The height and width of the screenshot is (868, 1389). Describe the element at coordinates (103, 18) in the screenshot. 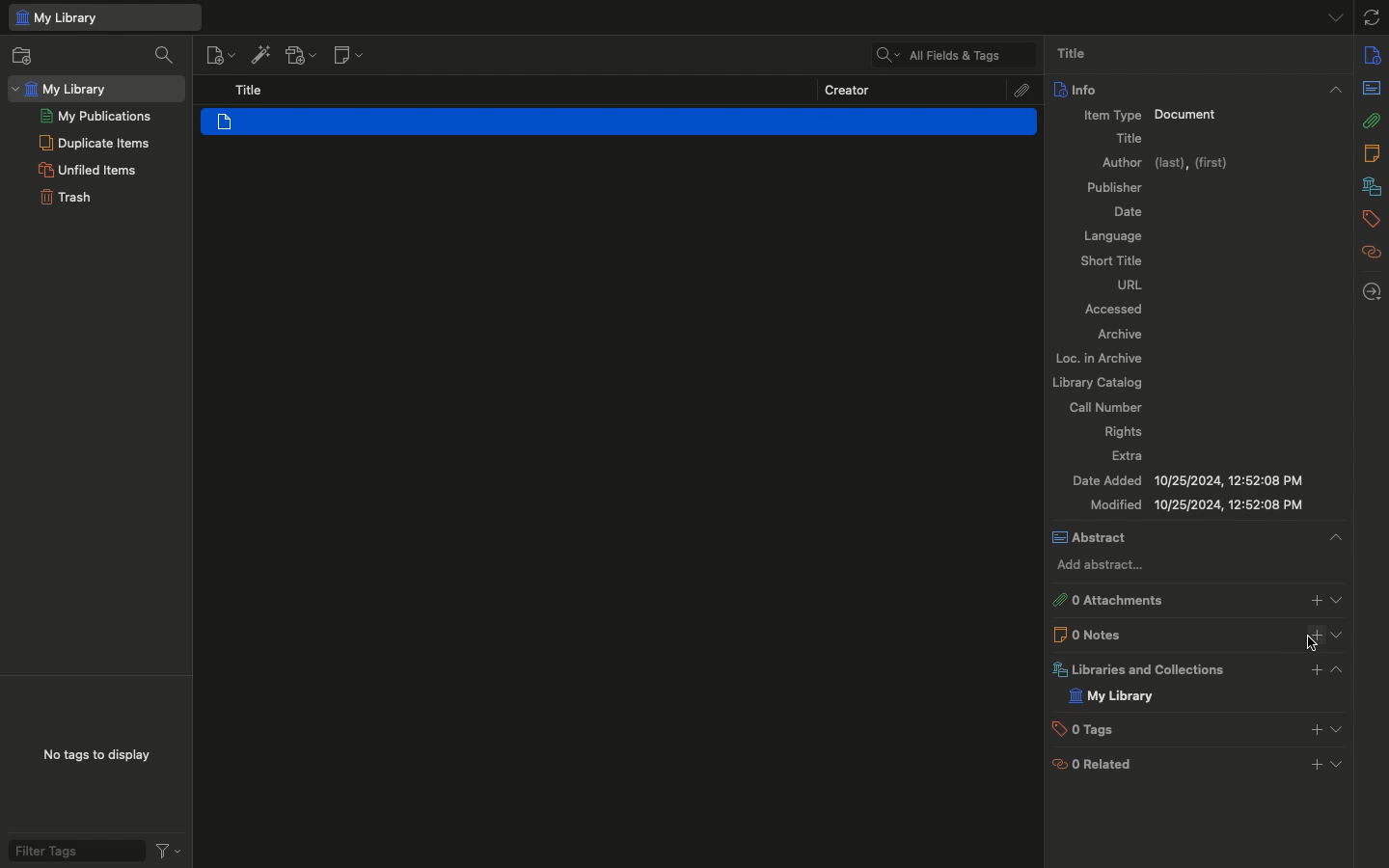

I see `My library` at that location.